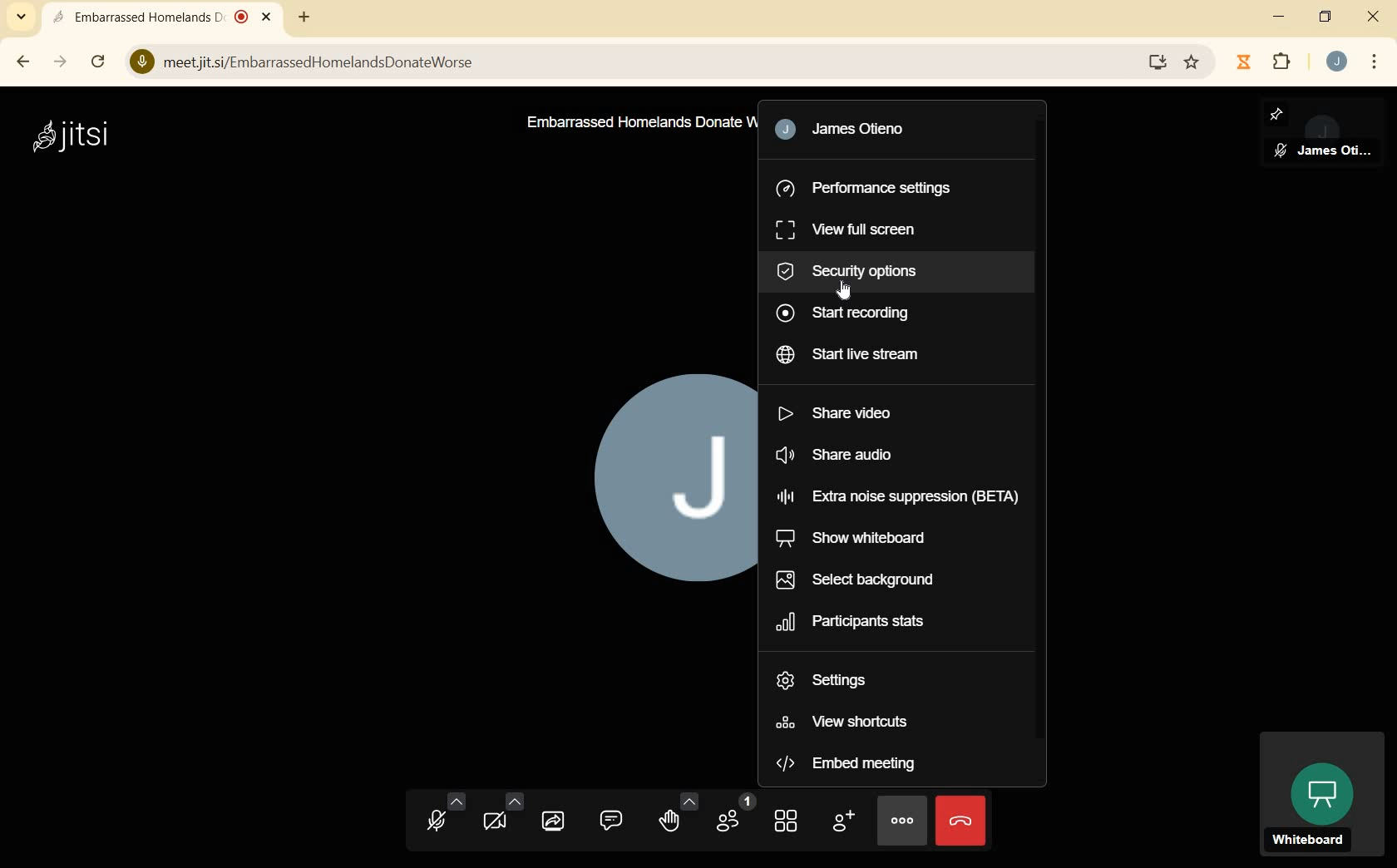 Image resolution: width=1397 pixels, height=868 pixels. I want to click on search tabs, so click(20, 17).